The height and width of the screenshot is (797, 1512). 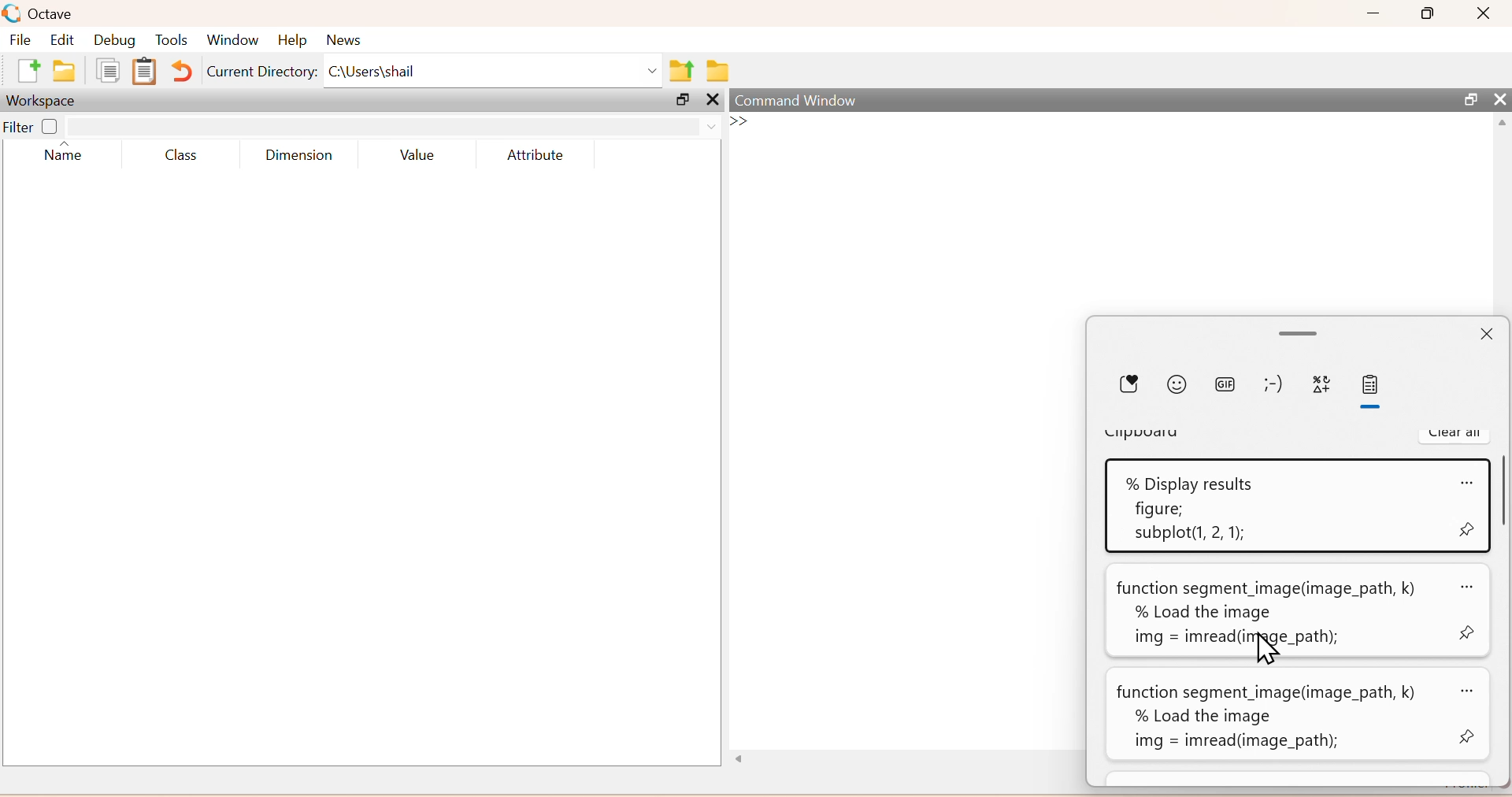 What do you see at coordinates (172, 42) in the screenshot?
I see `Tools` at bounding box center [172, 42].